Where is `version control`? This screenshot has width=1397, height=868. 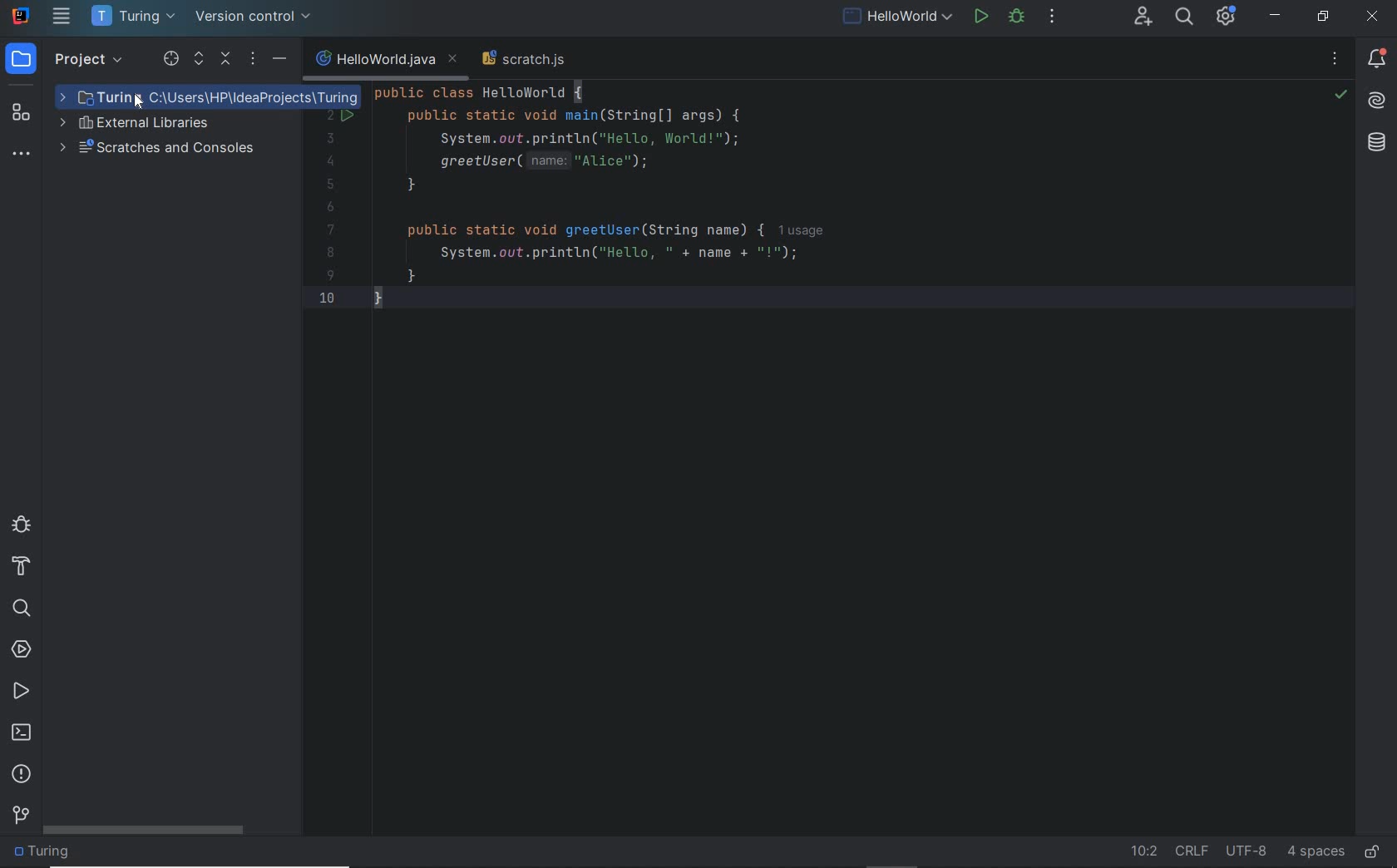 version control is located at coordinates (259, 17).